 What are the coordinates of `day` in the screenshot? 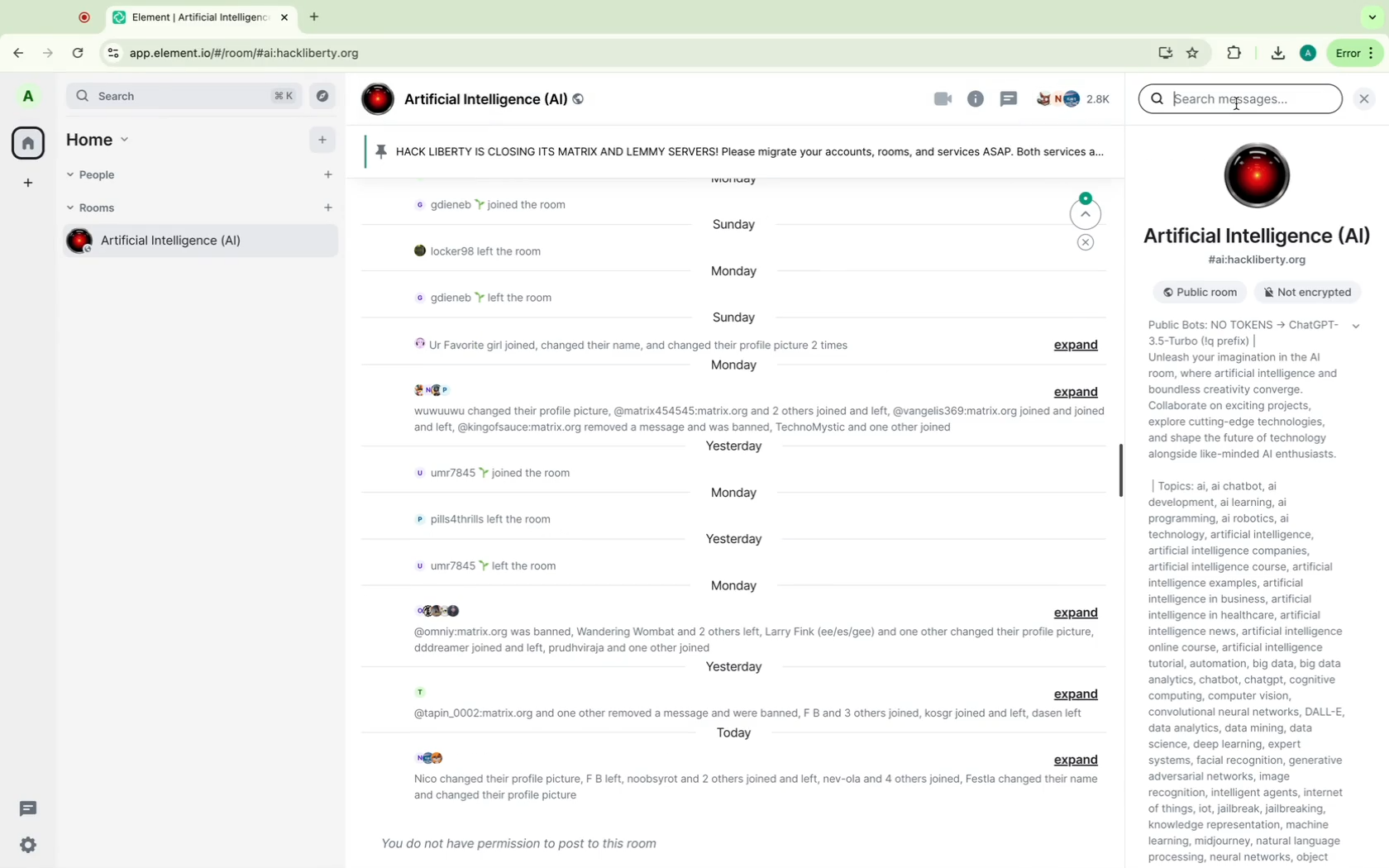 It's located at (733, 448).